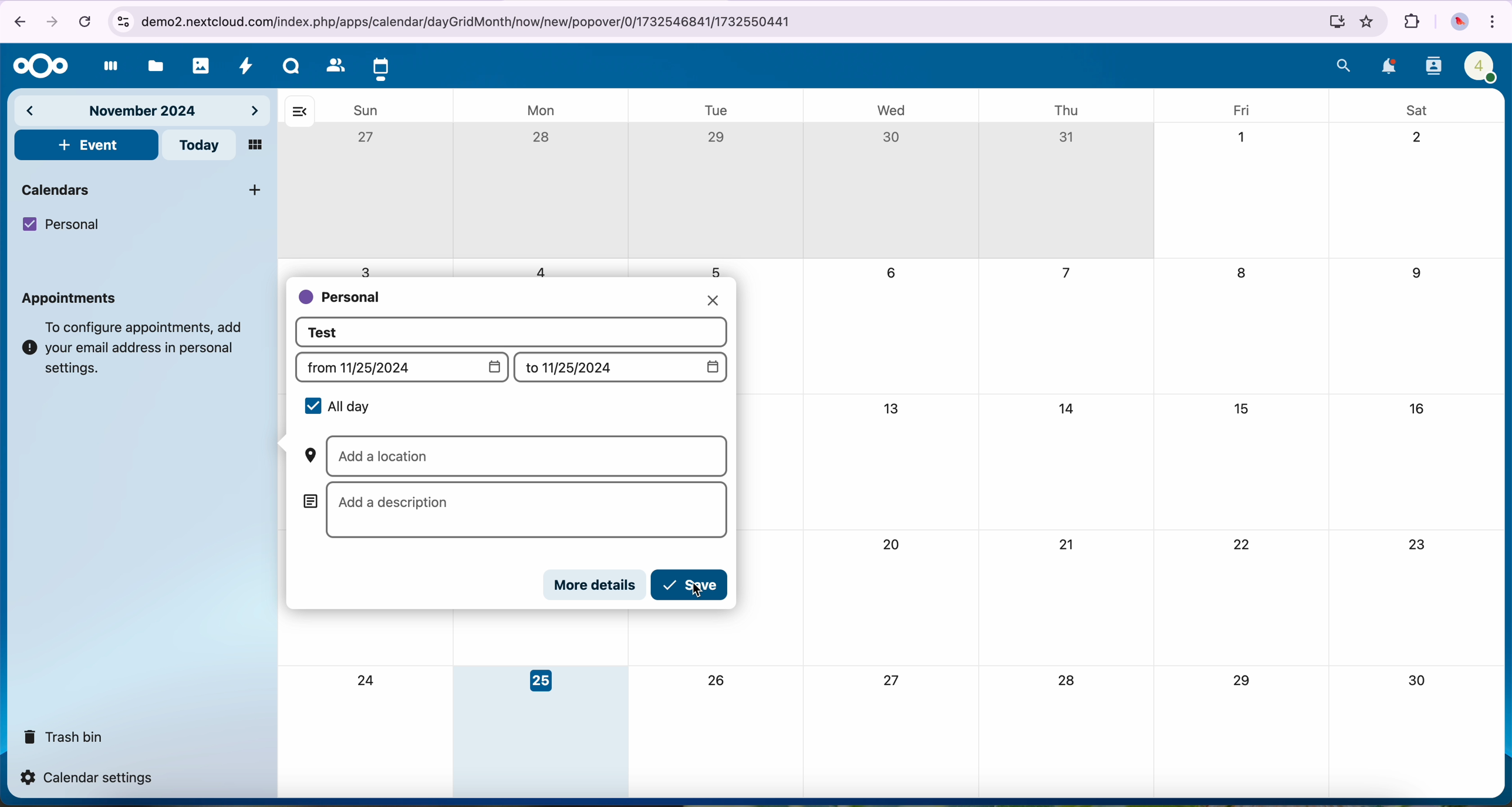  I want to click on photos, so click(201, 66).